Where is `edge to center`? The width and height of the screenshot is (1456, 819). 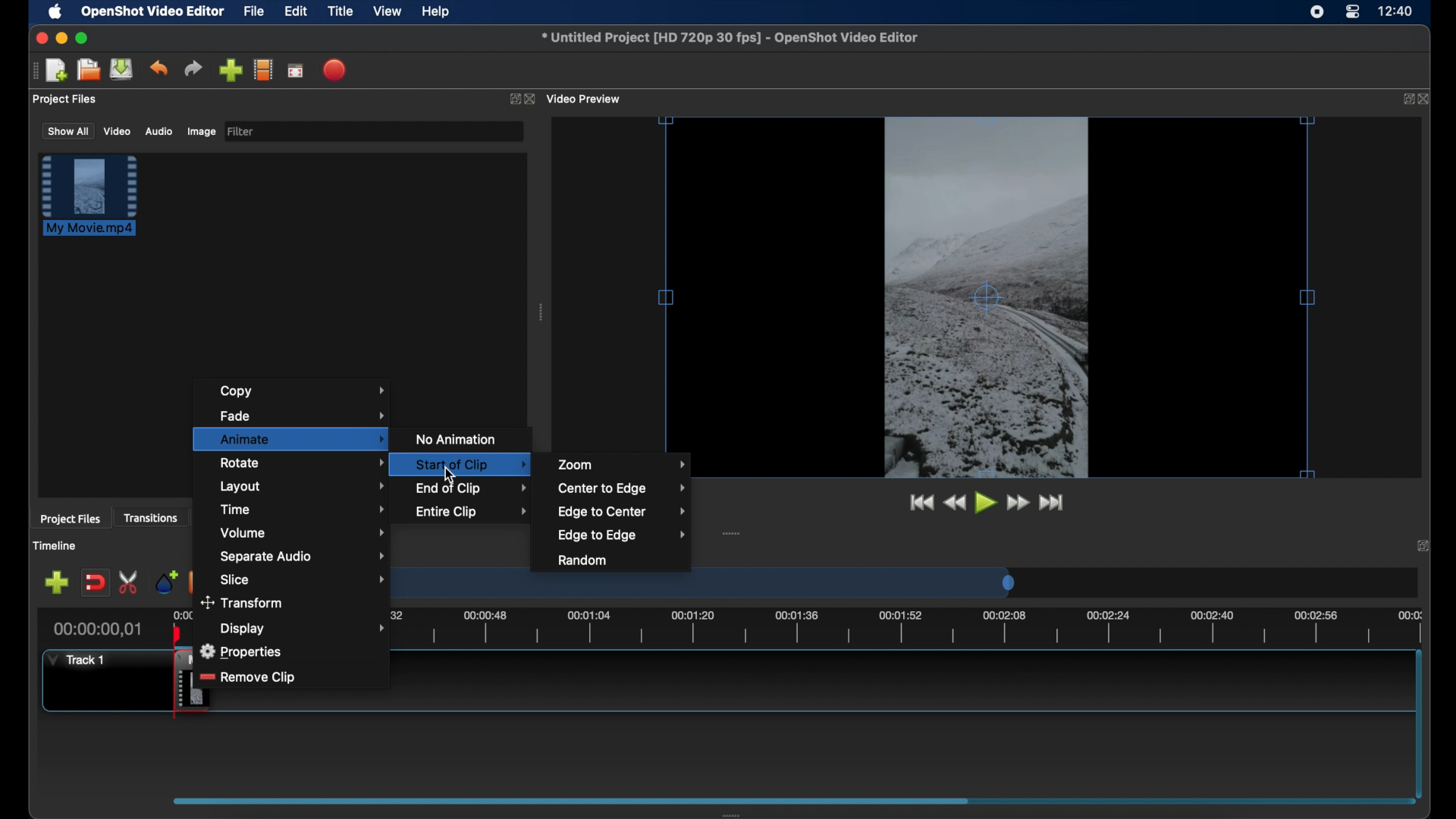
edge to center is located at coordinates (623, 511).